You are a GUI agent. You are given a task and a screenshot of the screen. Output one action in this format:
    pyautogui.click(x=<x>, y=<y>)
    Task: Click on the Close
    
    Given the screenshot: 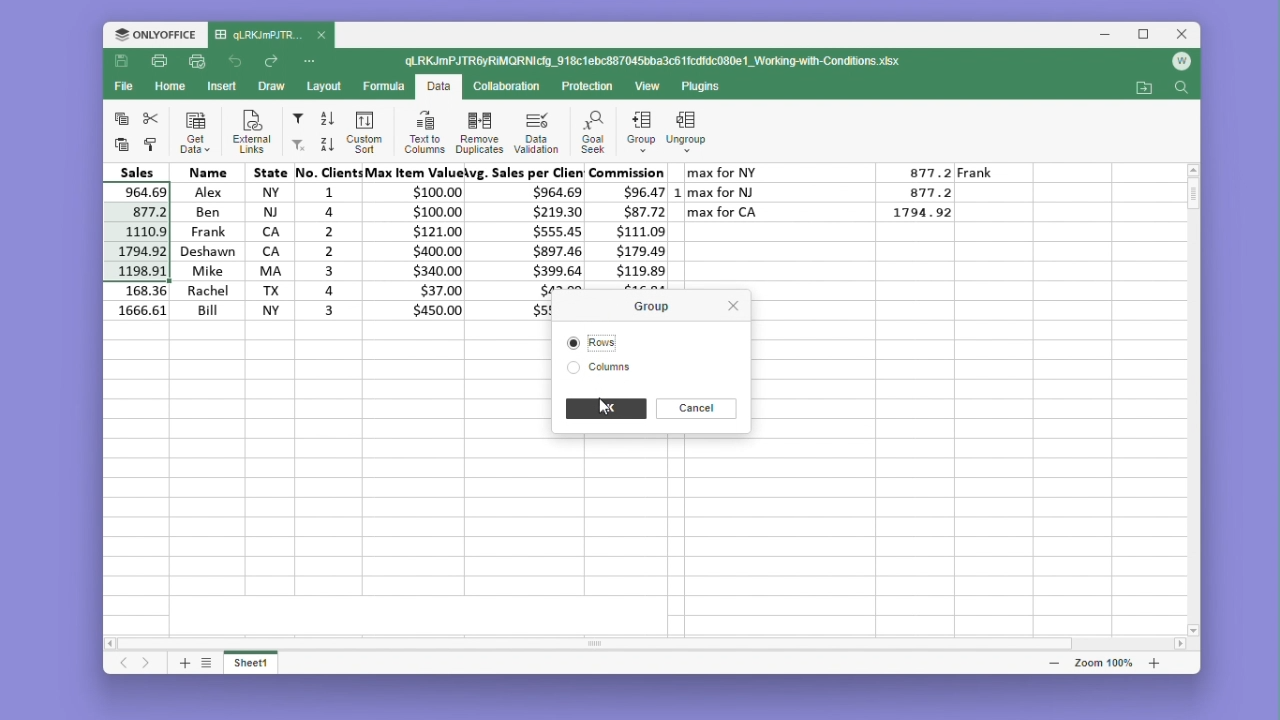 What is the action you would take?
    pyautogui.click(x=1184, y=35)
    